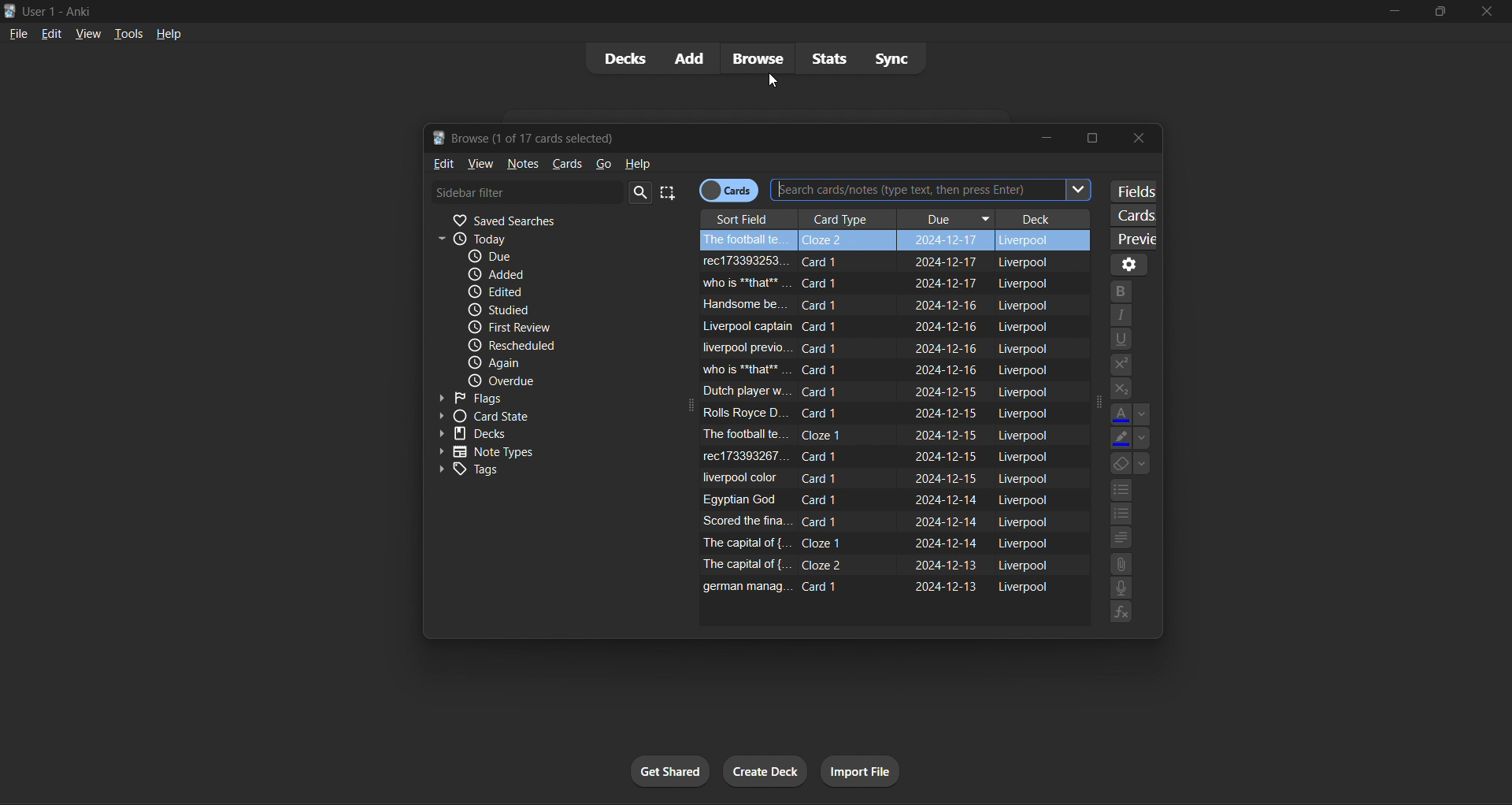 The height and width of the screenshot is (805, 1512). Describe the element at coordinates (775, 78) in the screenshot. I see `cursor` at that location.